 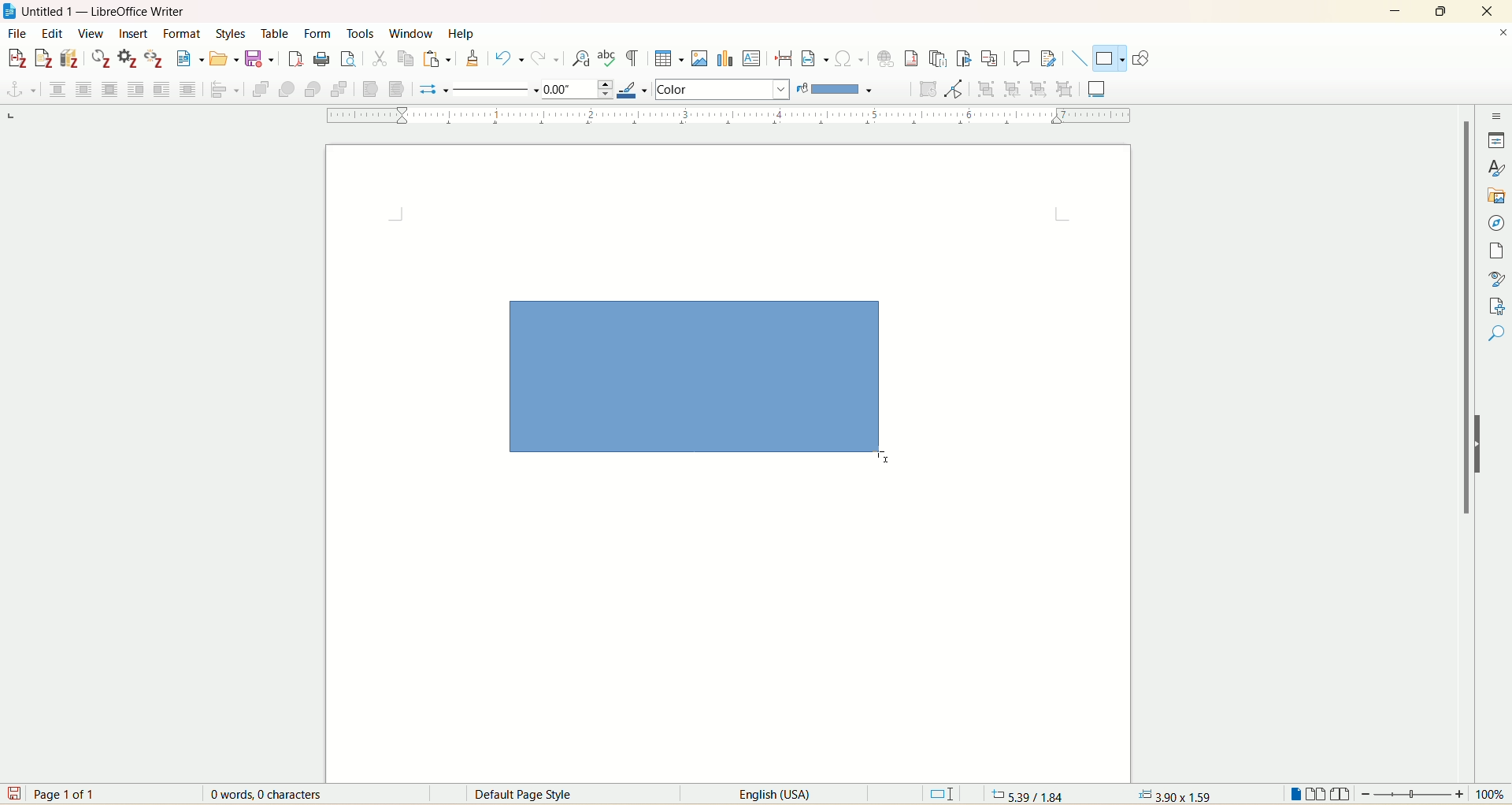 I want to click on 5.39/1.84, so click(x=1026, y=794).